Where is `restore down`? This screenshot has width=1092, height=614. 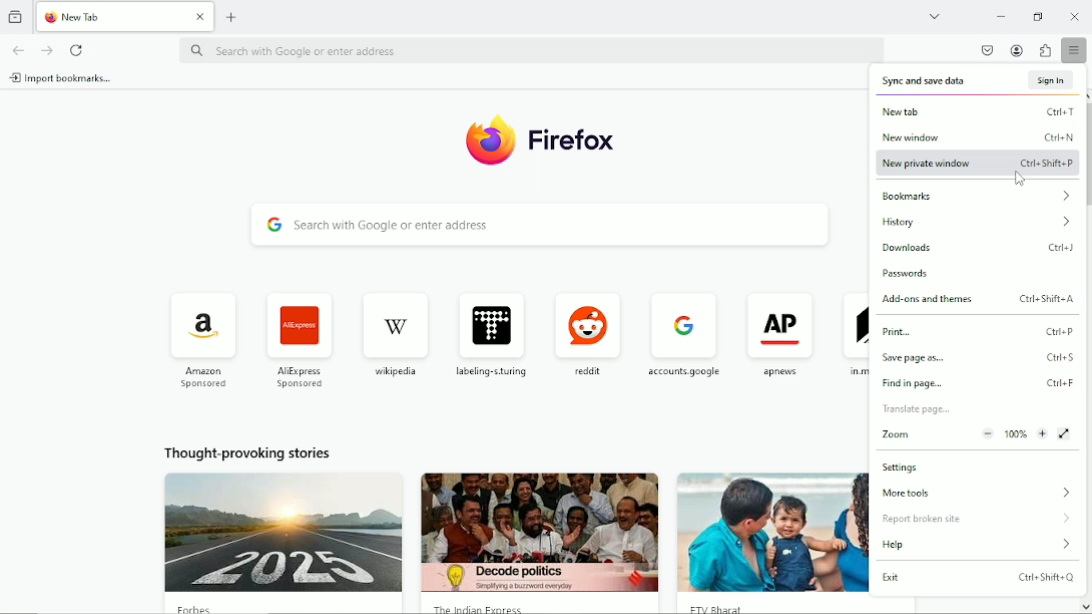
restore down is located at coordinates (1039, 17).